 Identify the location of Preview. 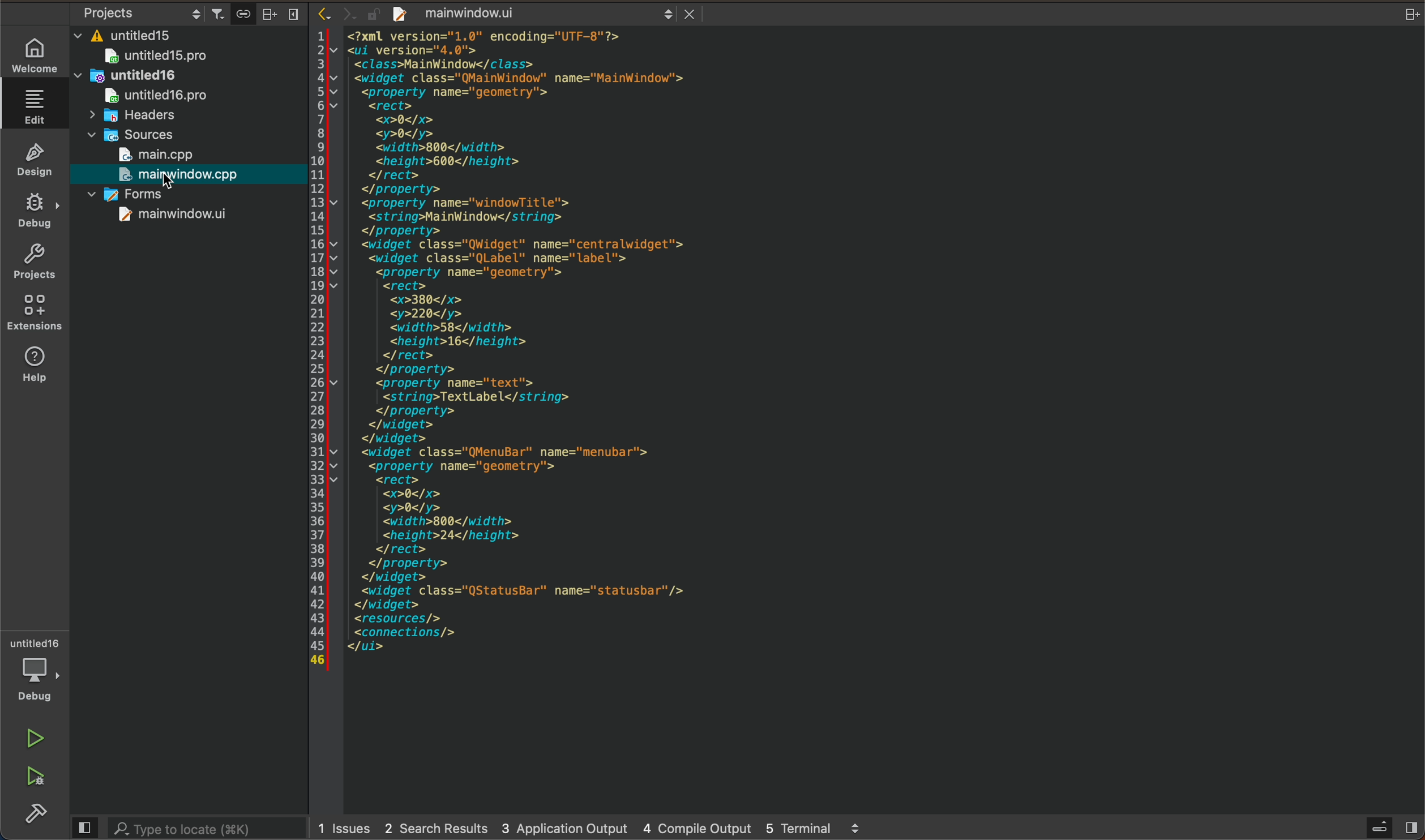
(83, 827).